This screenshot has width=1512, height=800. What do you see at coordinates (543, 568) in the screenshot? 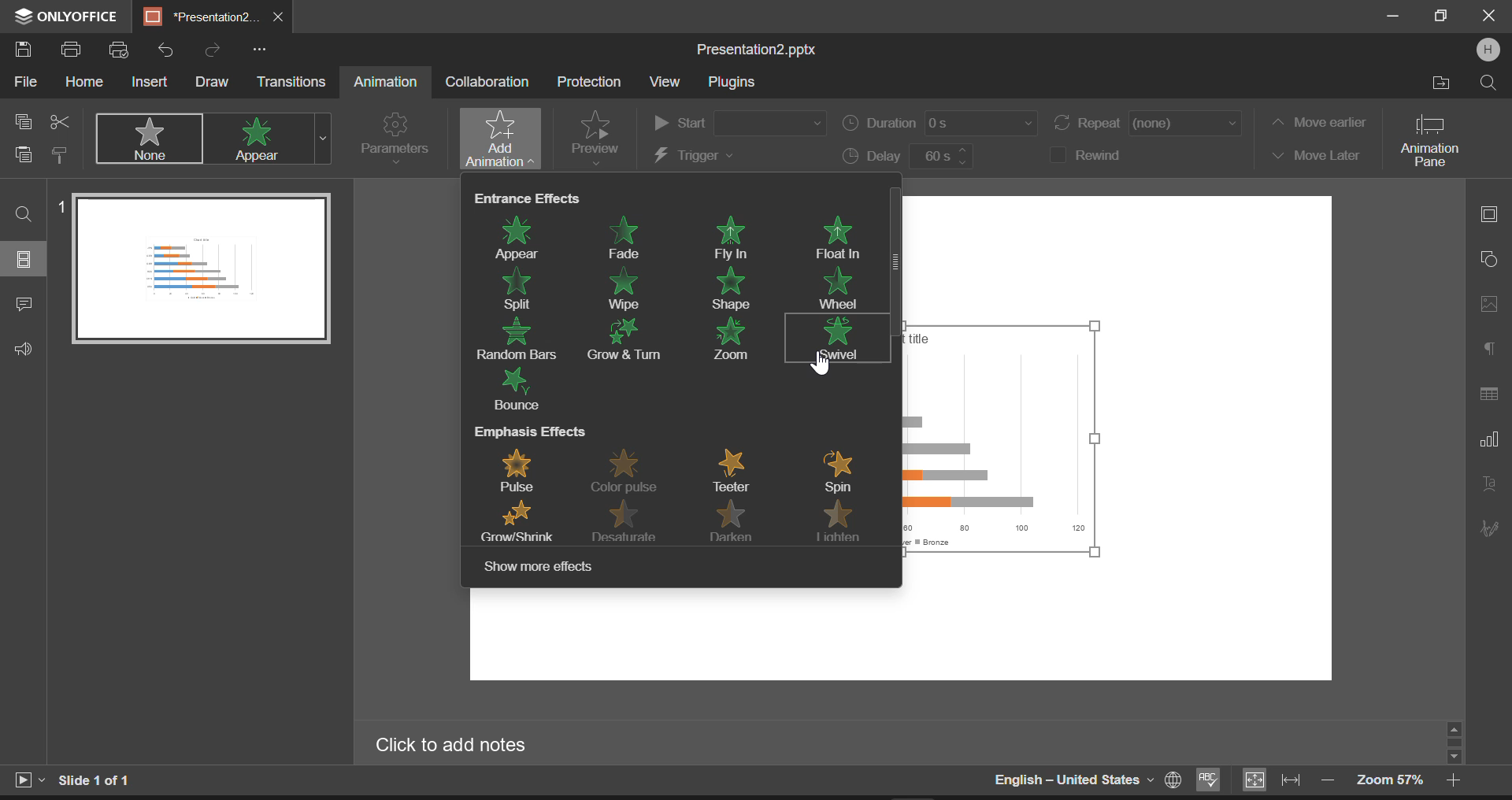
I see `Show more effects` at bounding box center [543, 568].